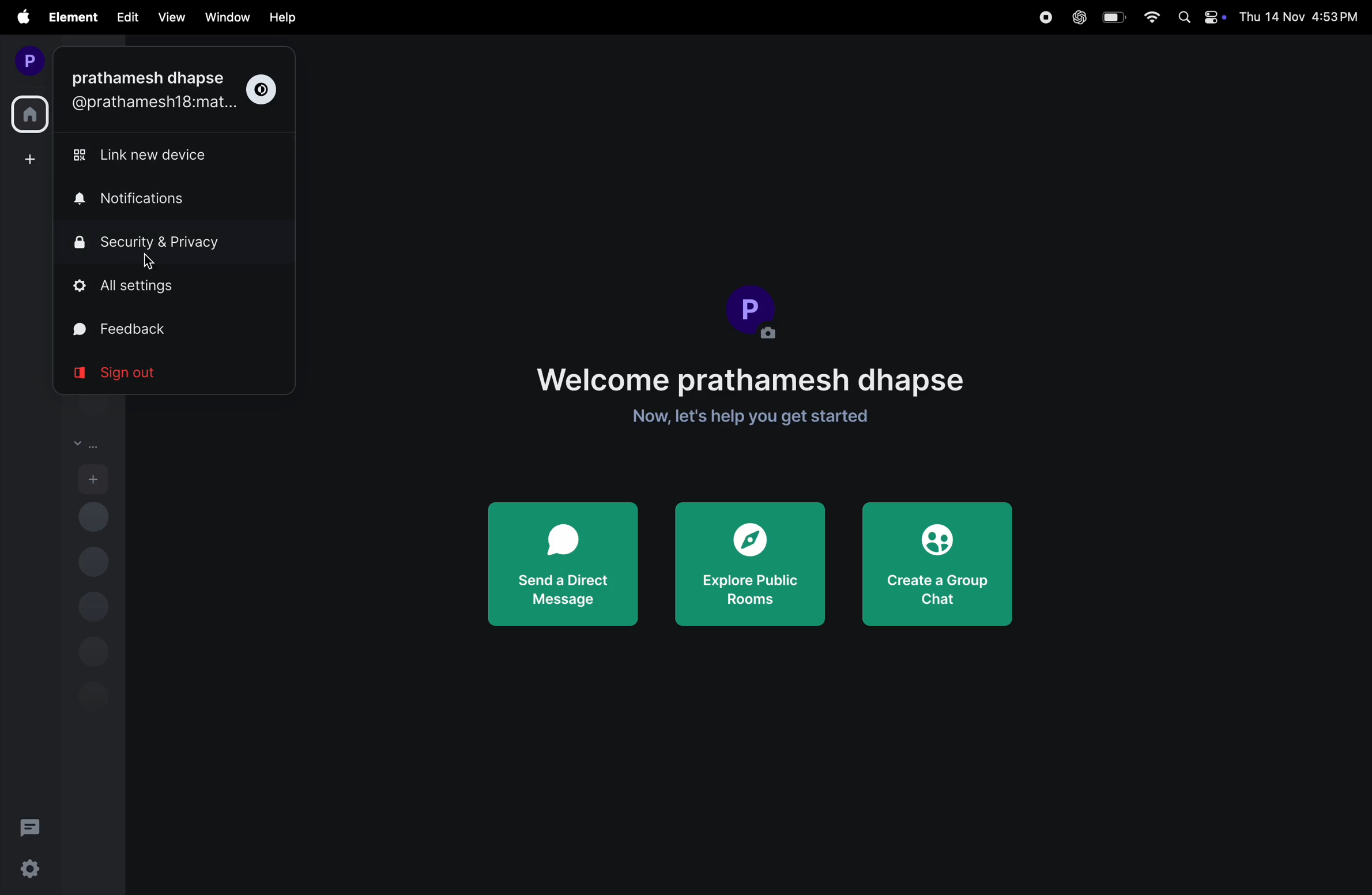  What do you see at coordinates (156, 328) in the screenshot?
I see `feedback` at bounding box center [156, 328].